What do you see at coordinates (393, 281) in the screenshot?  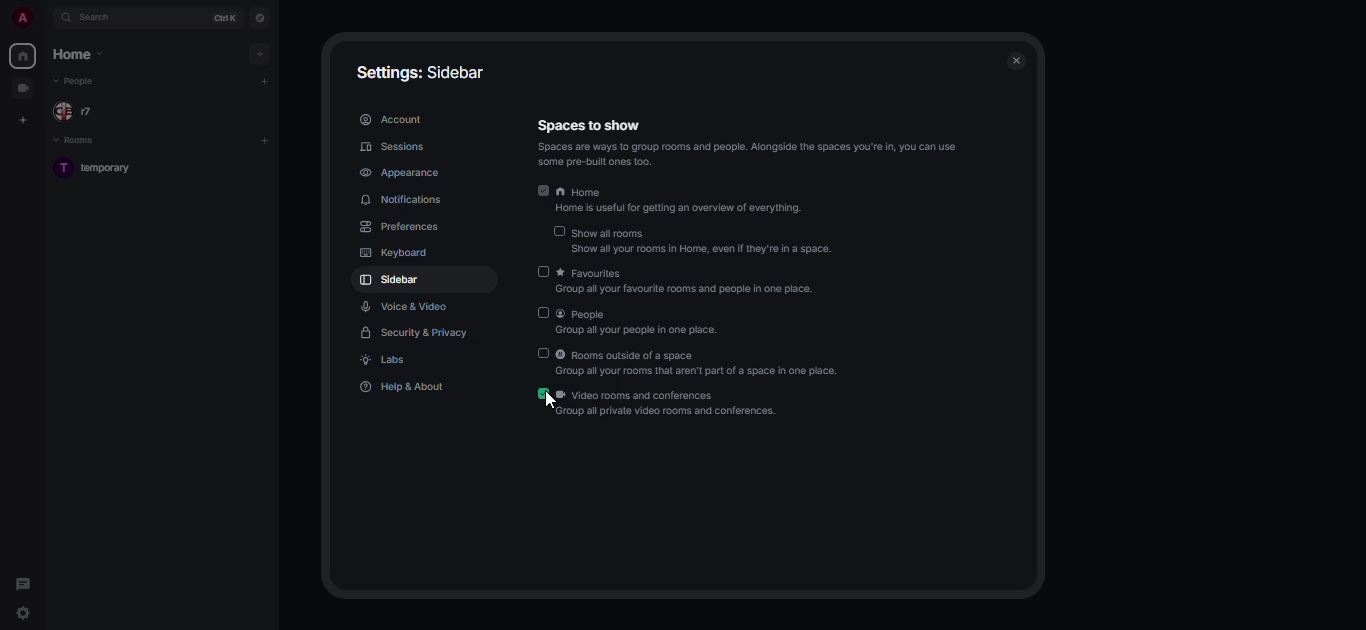 I see `sidebar` at bounding box center [393, 281].